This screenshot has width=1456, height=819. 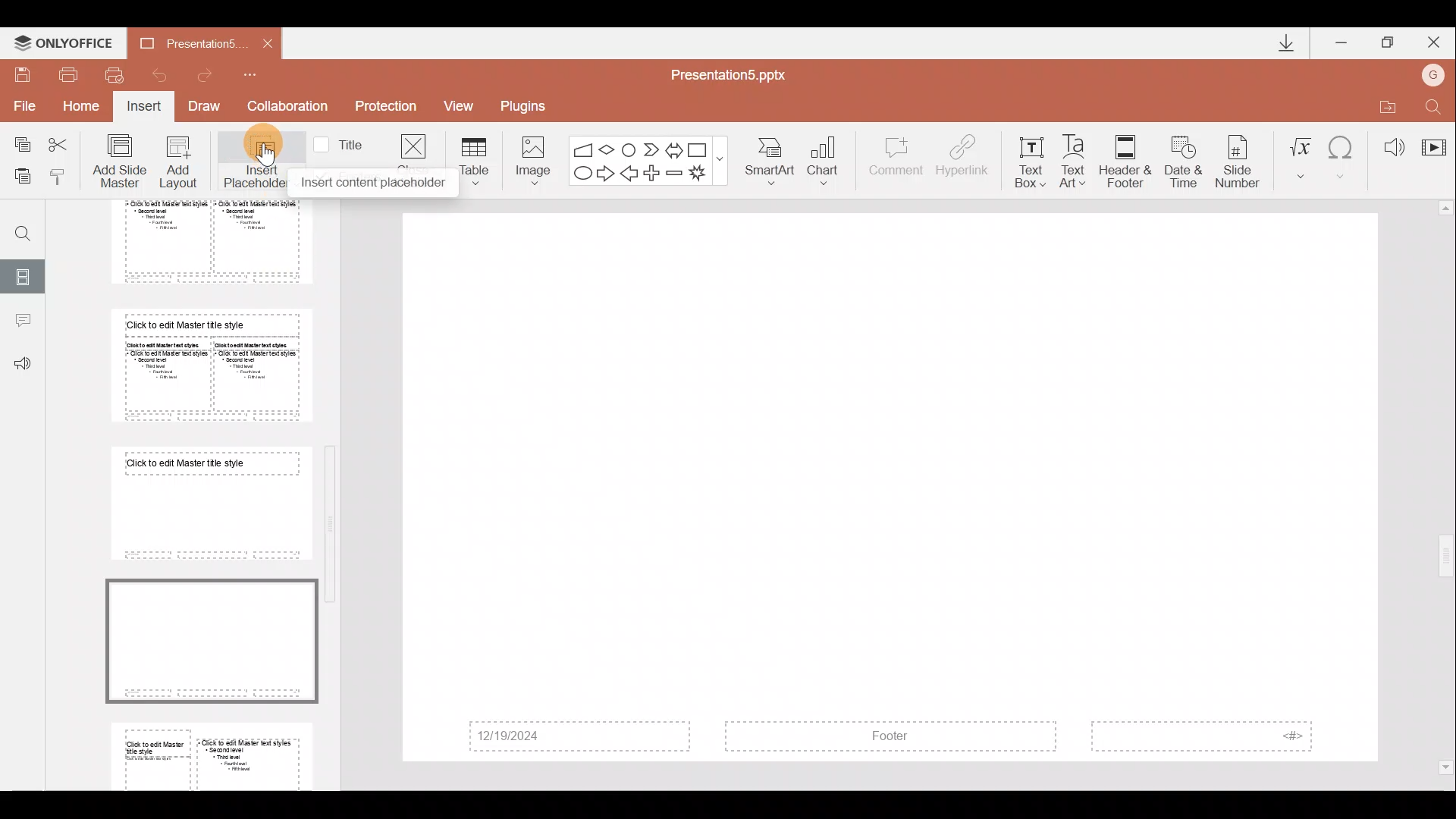 What do you see at coordinates (1300, 155) in the screenshot?
I see `Equation` at bounding box center [1300, 155].